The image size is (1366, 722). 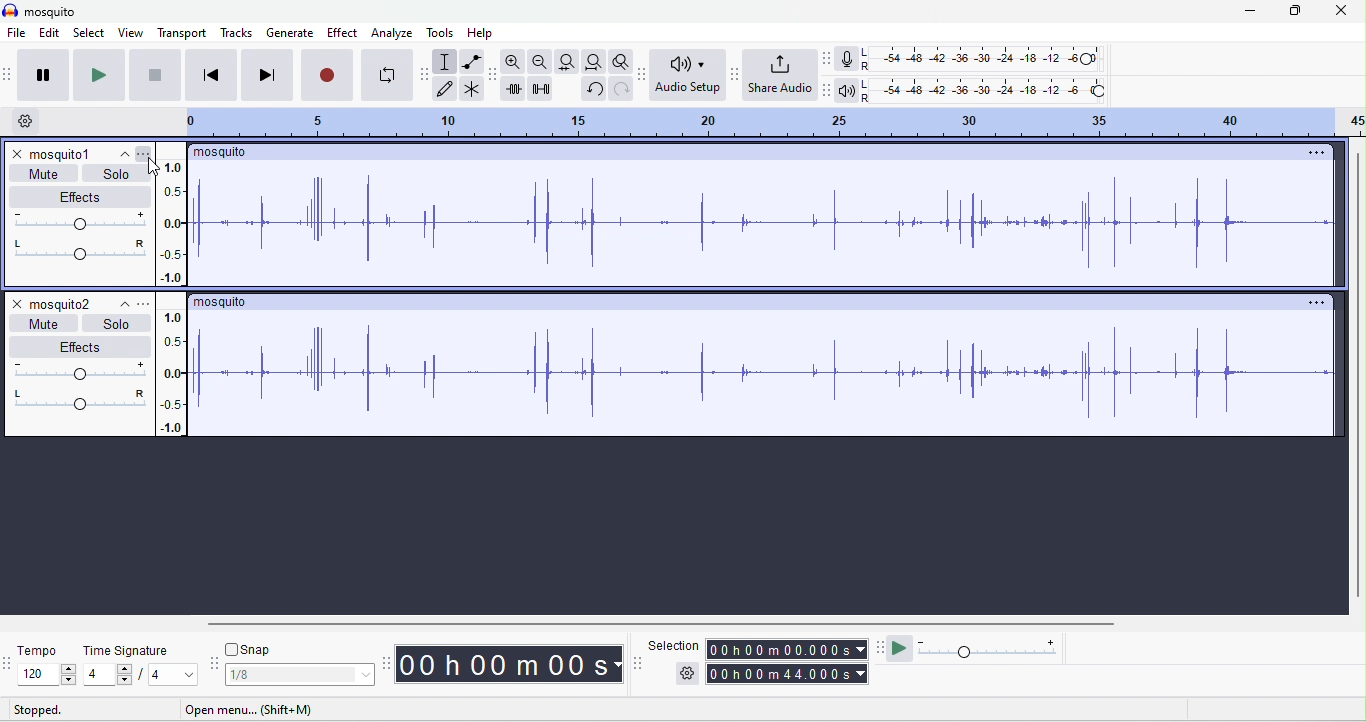 I want to click on analyze, so click(x=392, y=32).